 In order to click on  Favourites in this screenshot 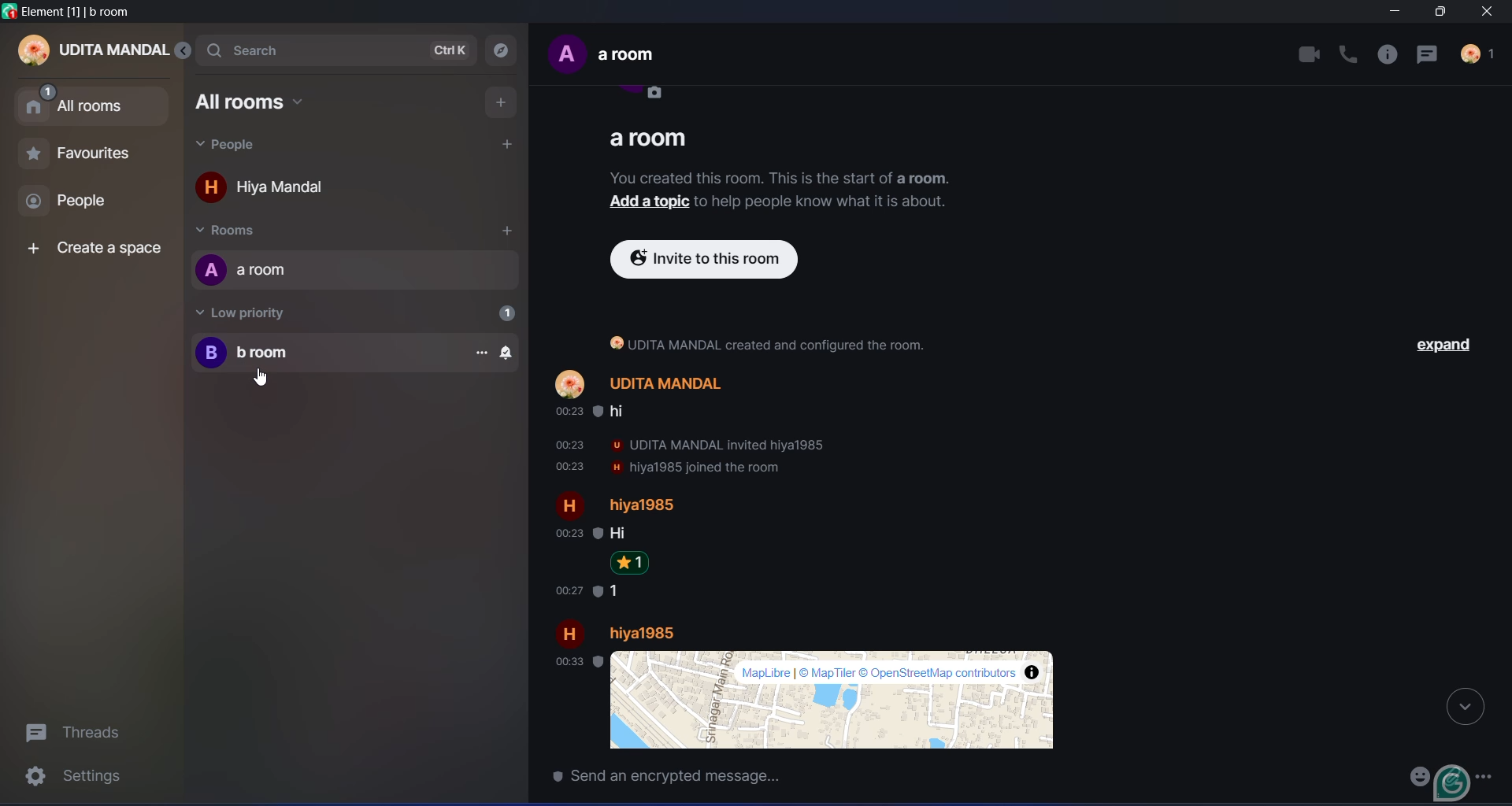, I will do `click(77, 157)`.